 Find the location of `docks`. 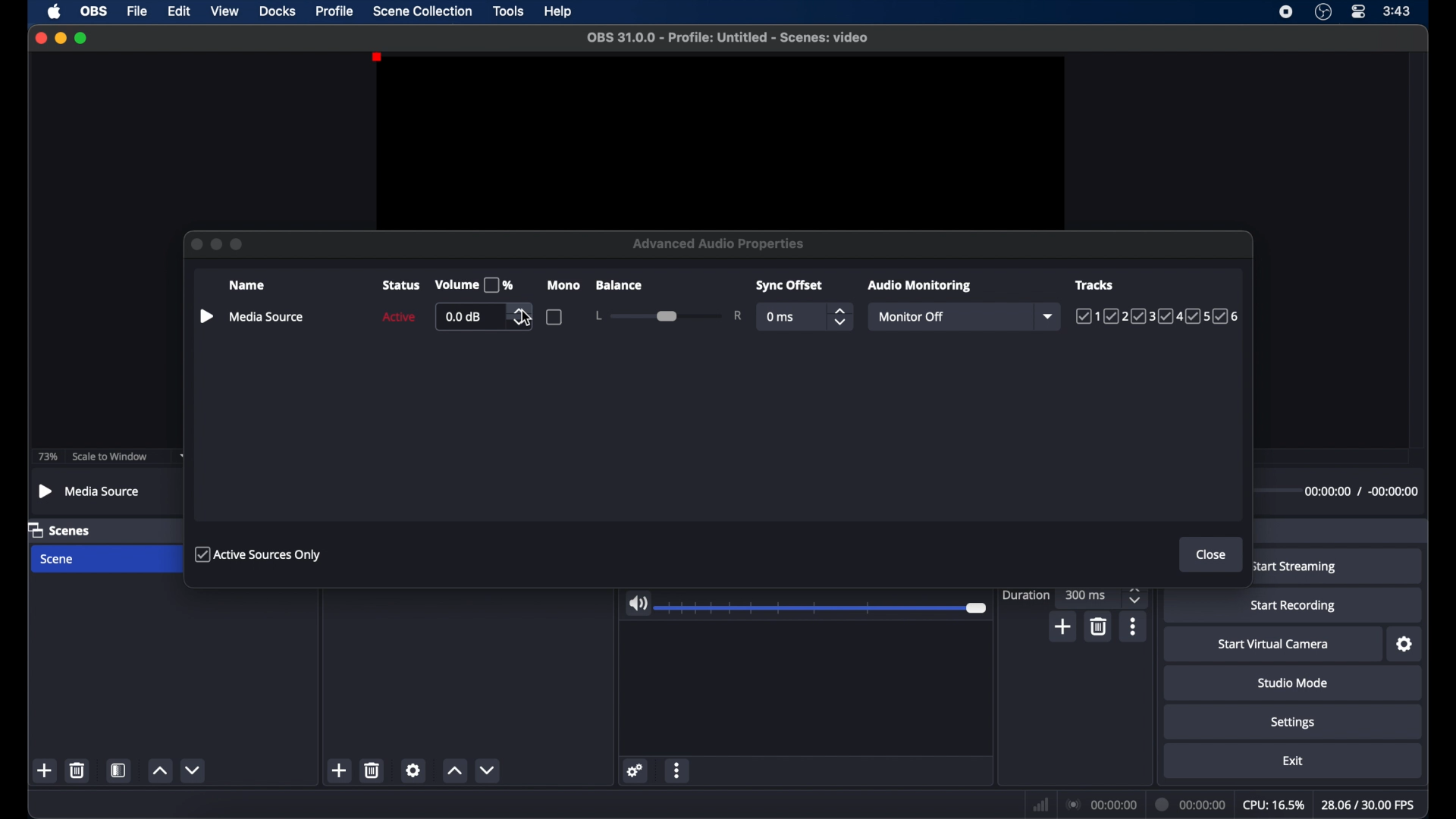

docks is located at coordinates (278, 11).